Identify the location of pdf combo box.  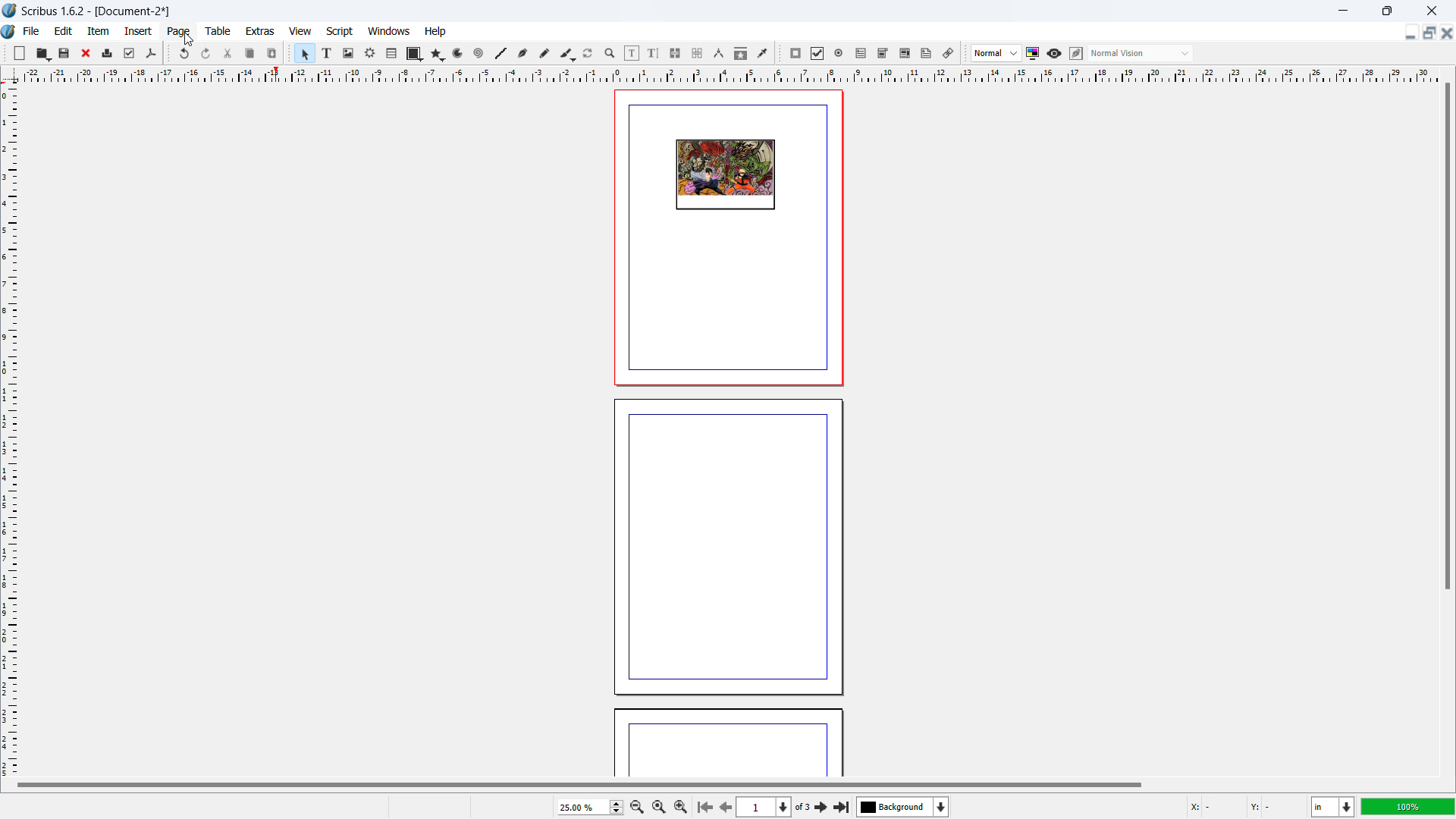
(882, 53).